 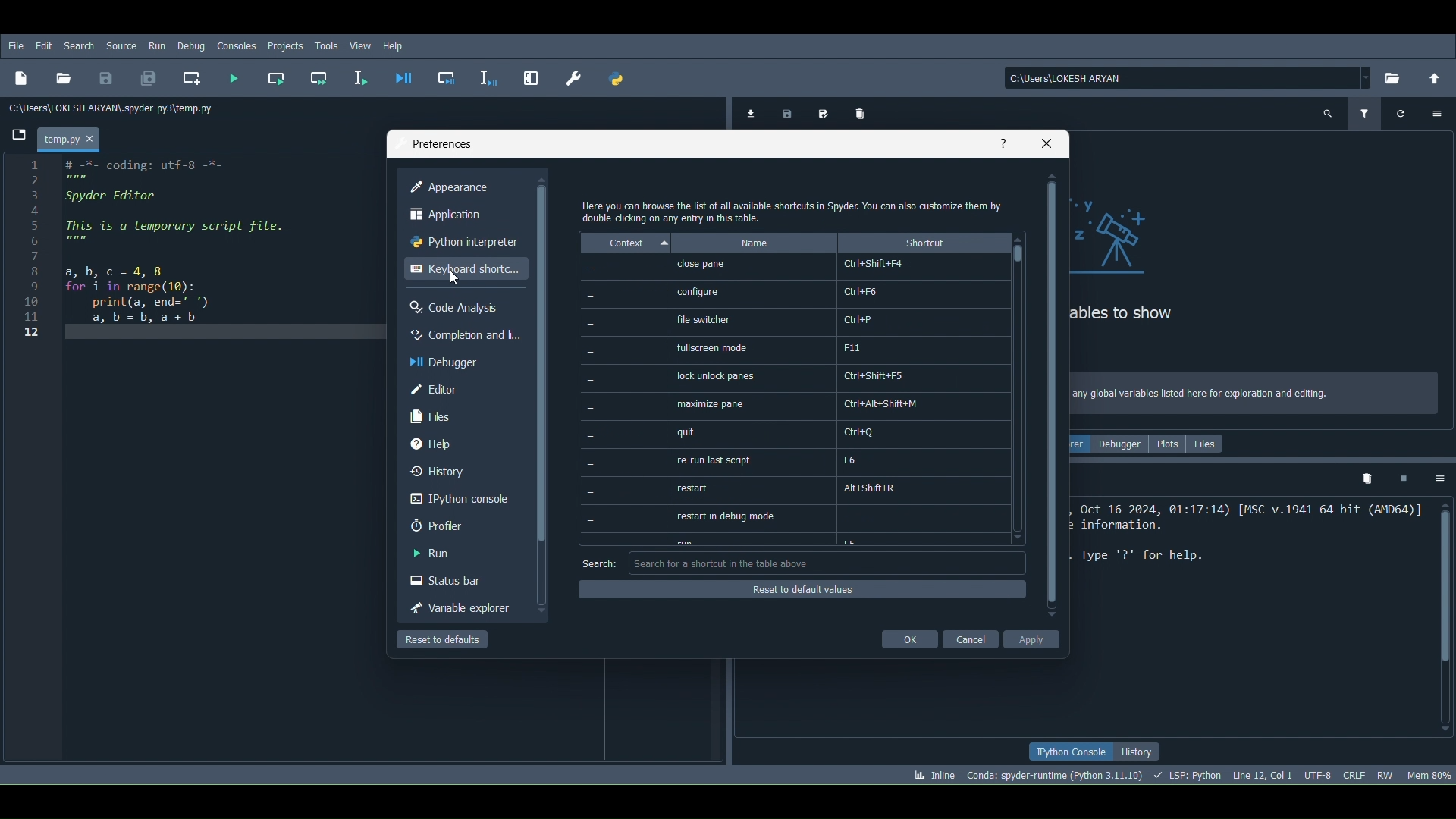 What do you see at coordinates (1437, 117) in the screenshot?
I see `Options` at bounding box center [1437, 117].